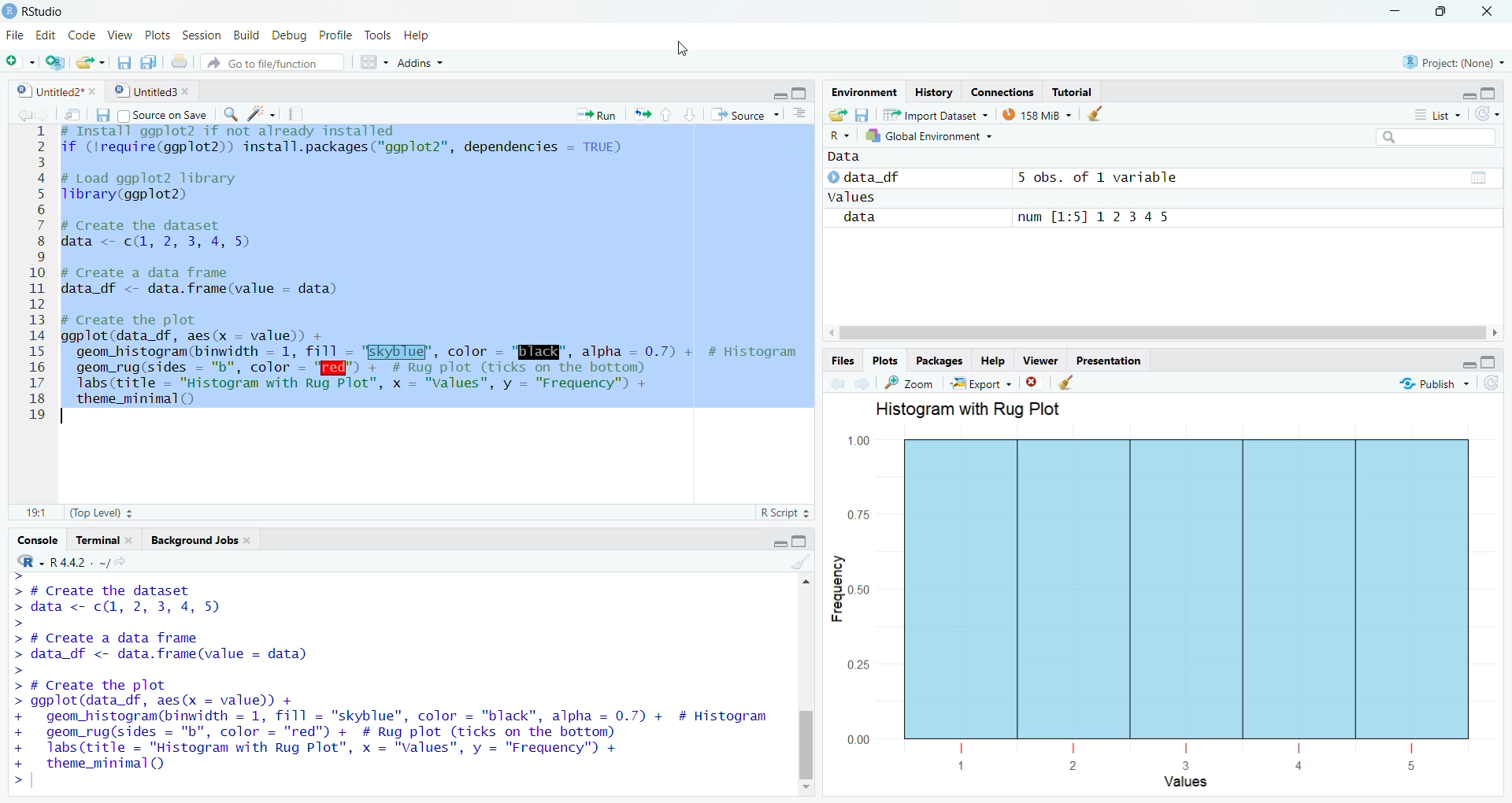 This screenshot has height=803, width=1512. I want to click on Clear viewer, so click(1076, 383).